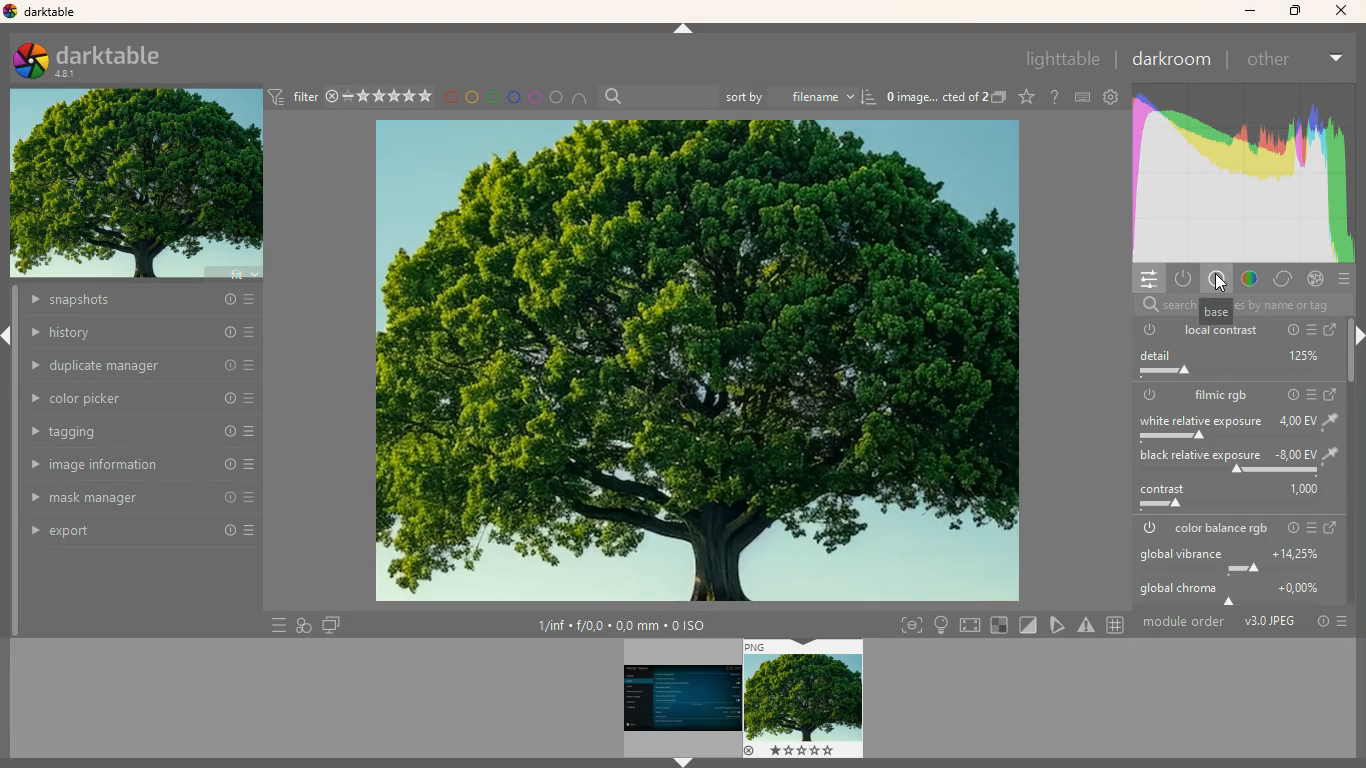  Describe the element at coordinates (1291, 329) in the screenshot. I see `info` at that location.